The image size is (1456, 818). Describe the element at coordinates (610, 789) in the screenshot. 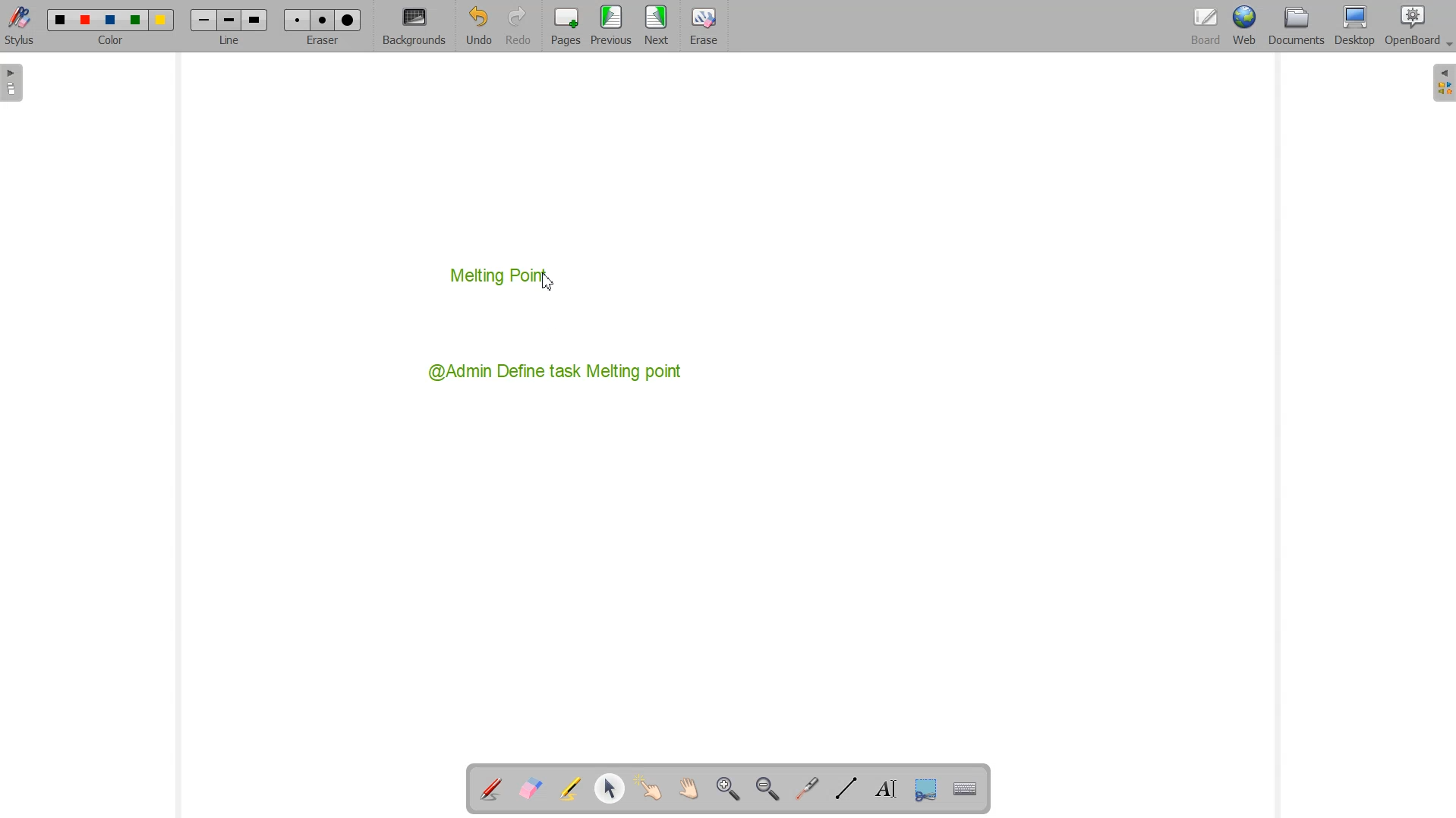

I see `Select and modify object` at that location.